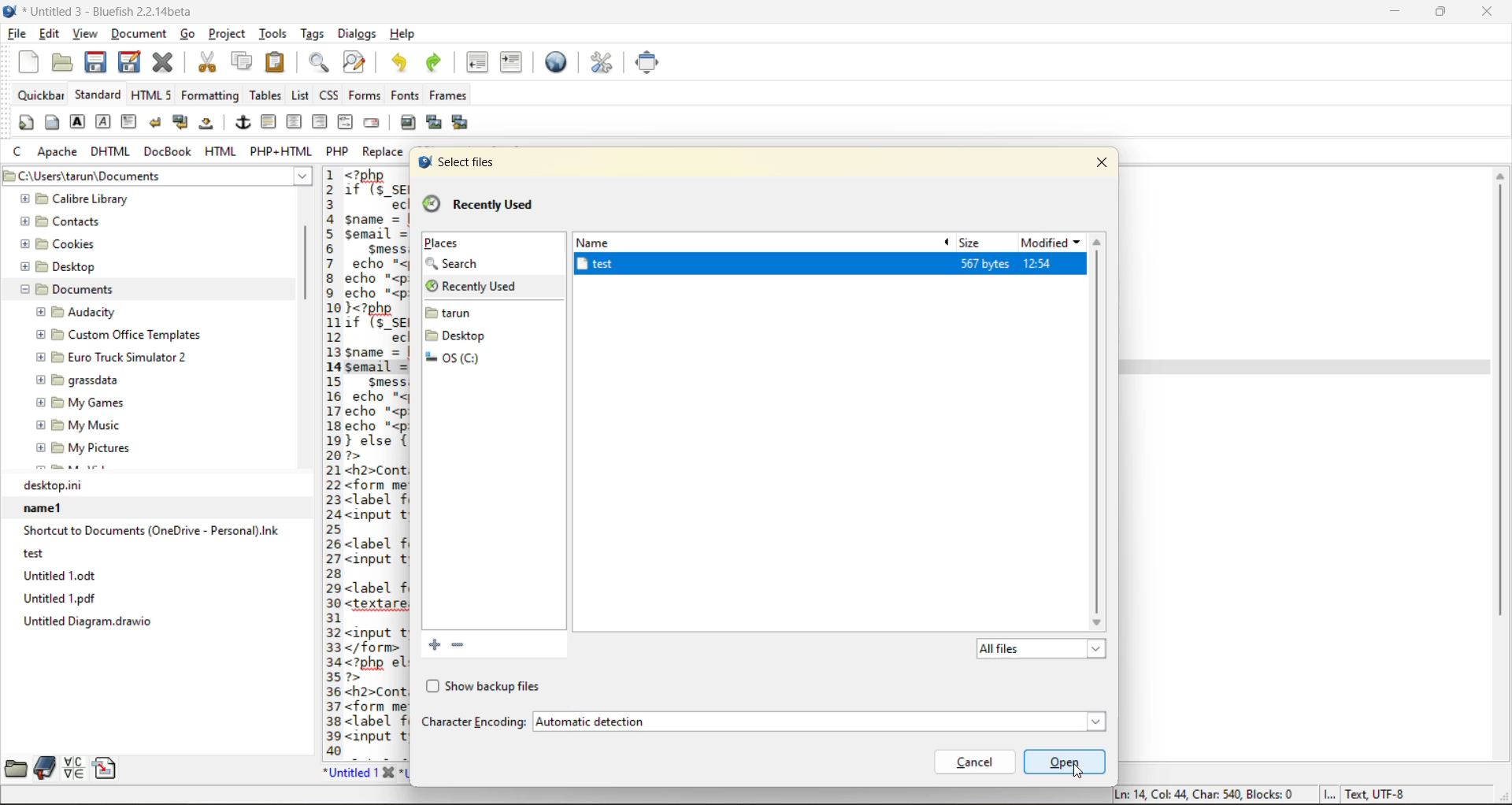  What do you see at coordinates (560, 61) in the screenshot?
I see `preview in browser` at bounding box center [560, 61].